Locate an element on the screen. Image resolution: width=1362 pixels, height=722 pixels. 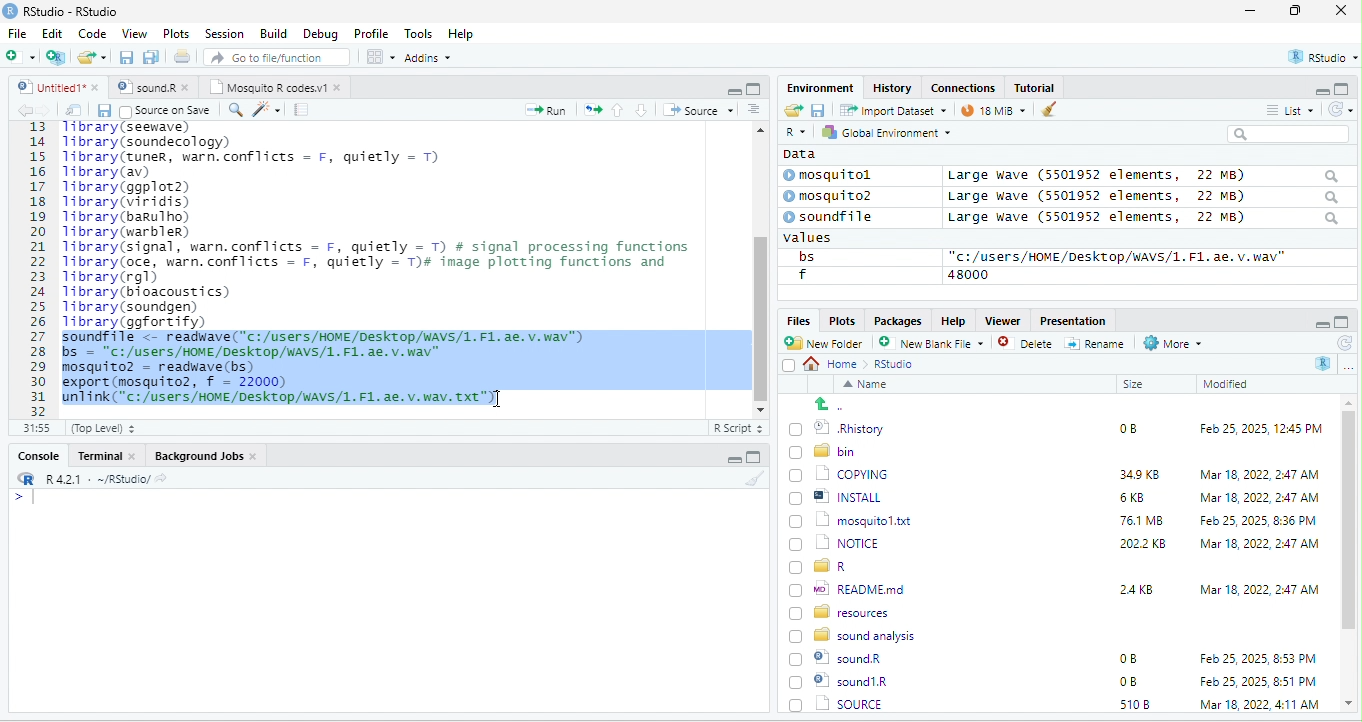
’ New blank File is located at coordinates (937, 346).